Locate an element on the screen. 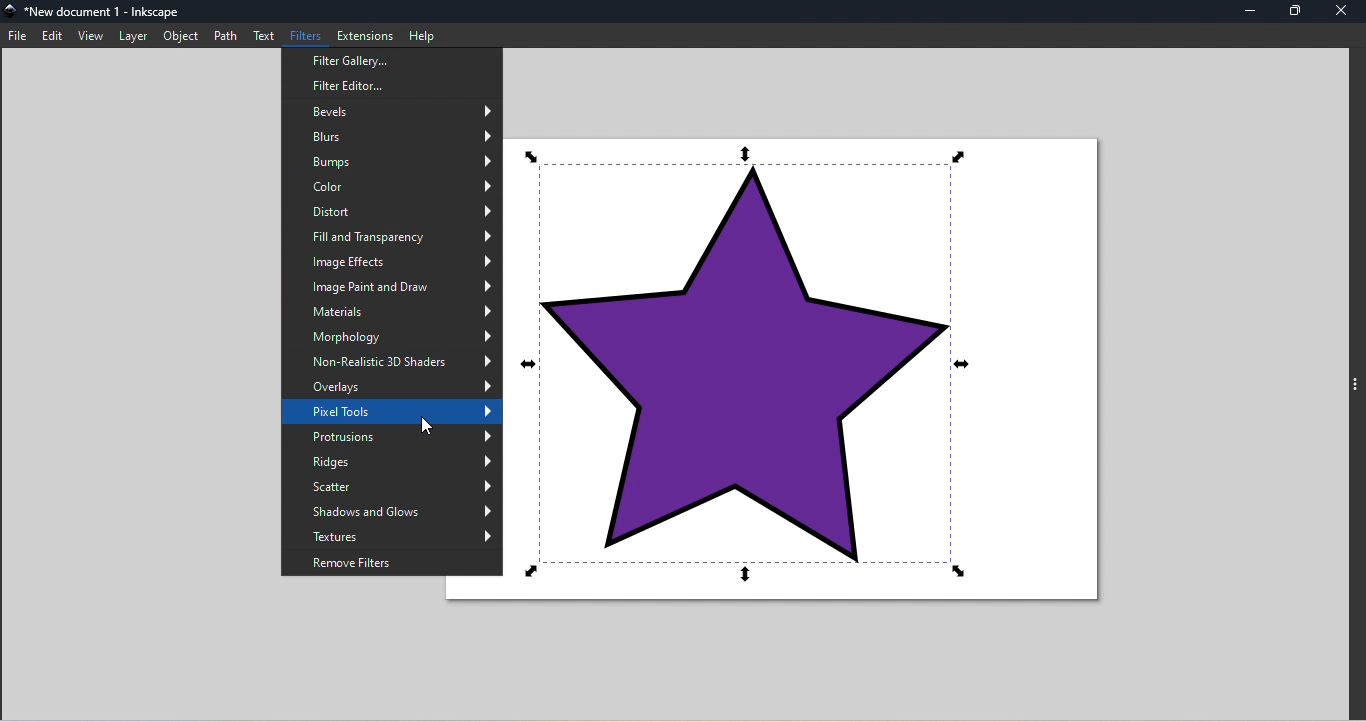 The height and width of the screenshot is (722, 1366). Mterials is located at coordinates (389, 311).